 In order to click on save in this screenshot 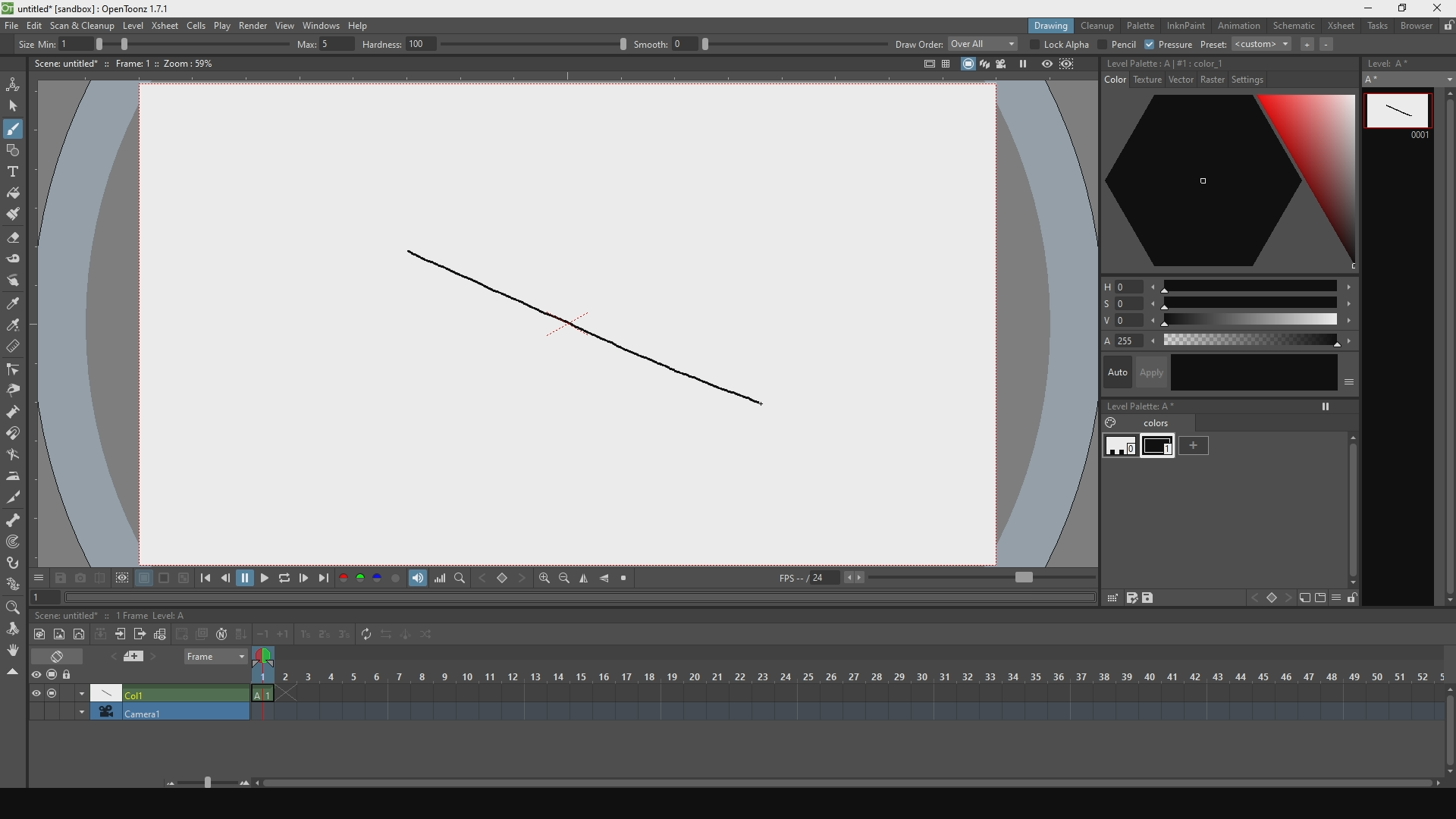, I will do `click(1131, 599)`.